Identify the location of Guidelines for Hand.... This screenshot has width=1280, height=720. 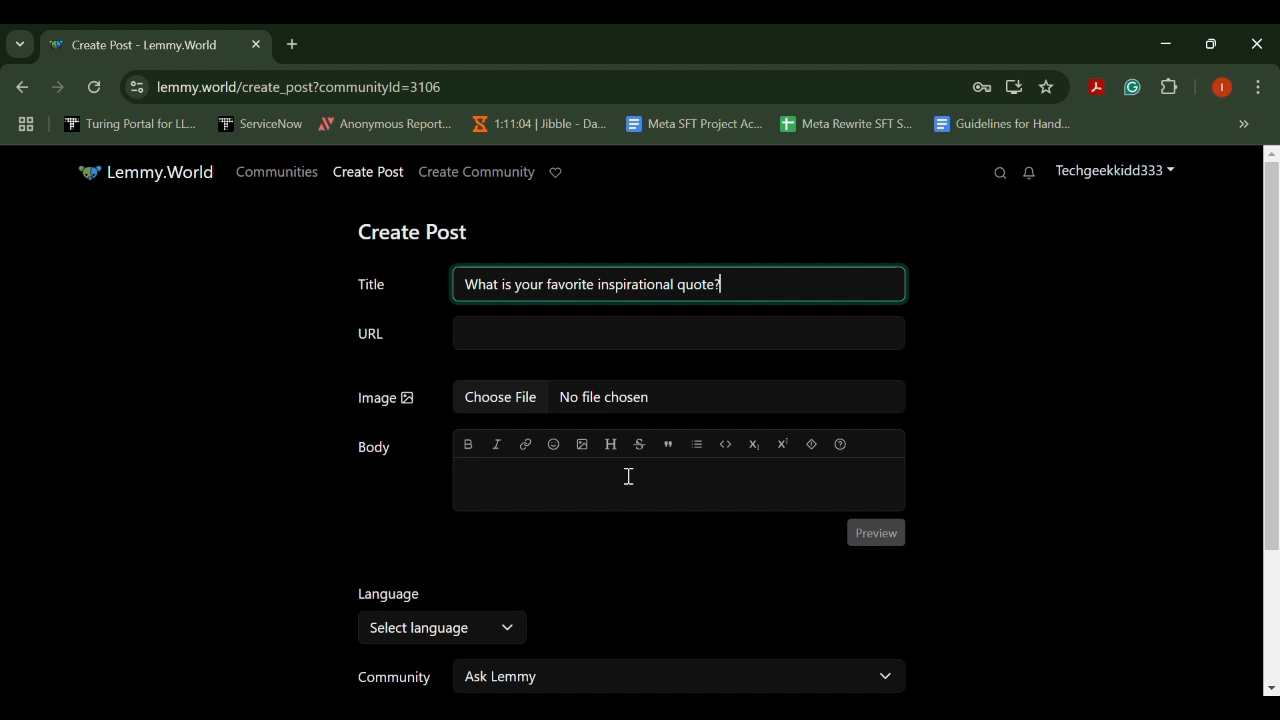
(1000, 124).